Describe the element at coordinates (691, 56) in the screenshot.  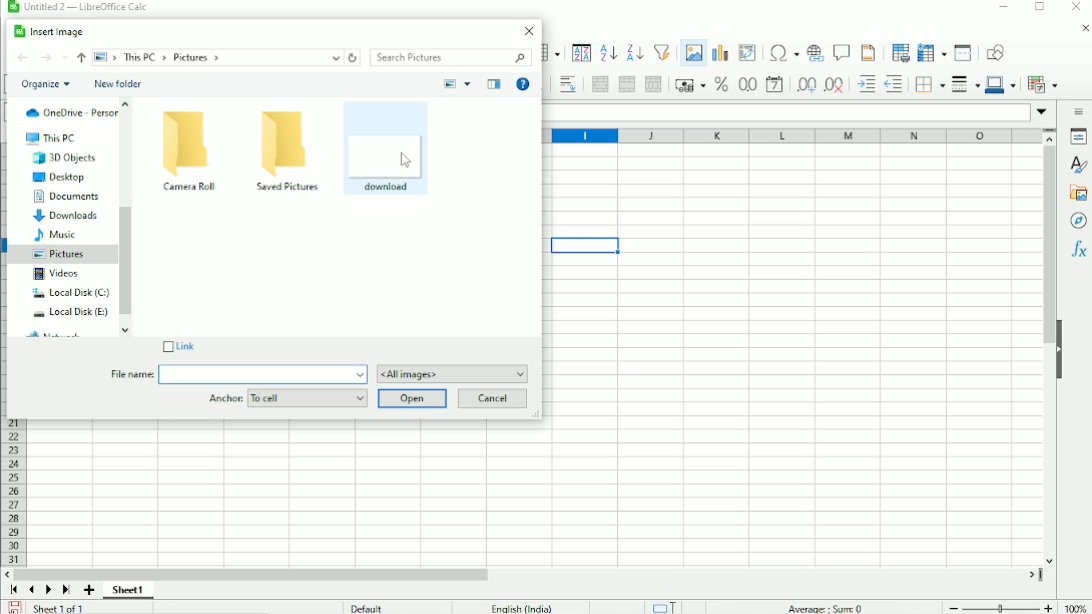
I see `Insert image` at that location.